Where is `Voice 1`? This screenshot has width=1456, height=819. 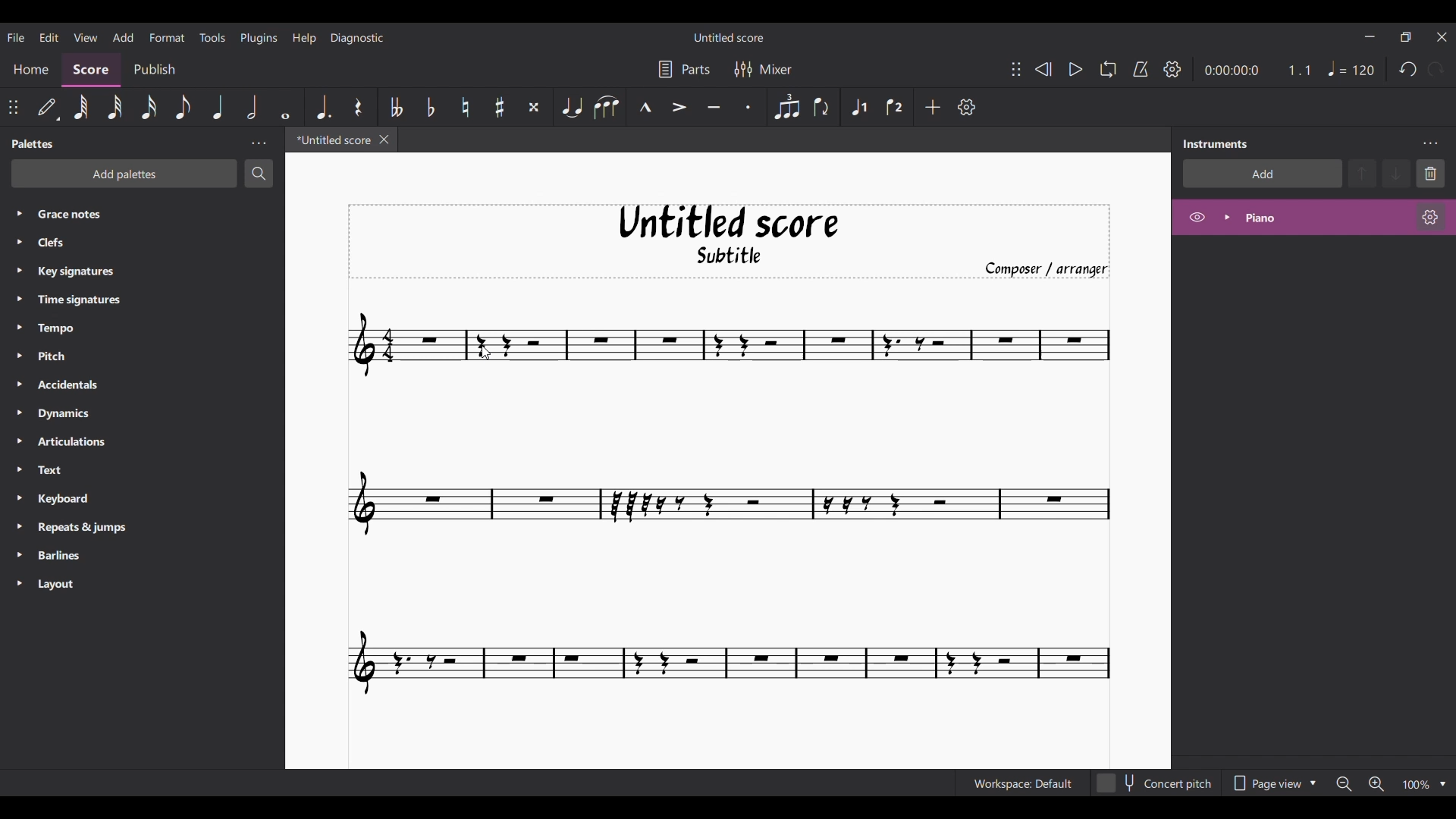
Voice 1 is located at coordinates (859, 106).